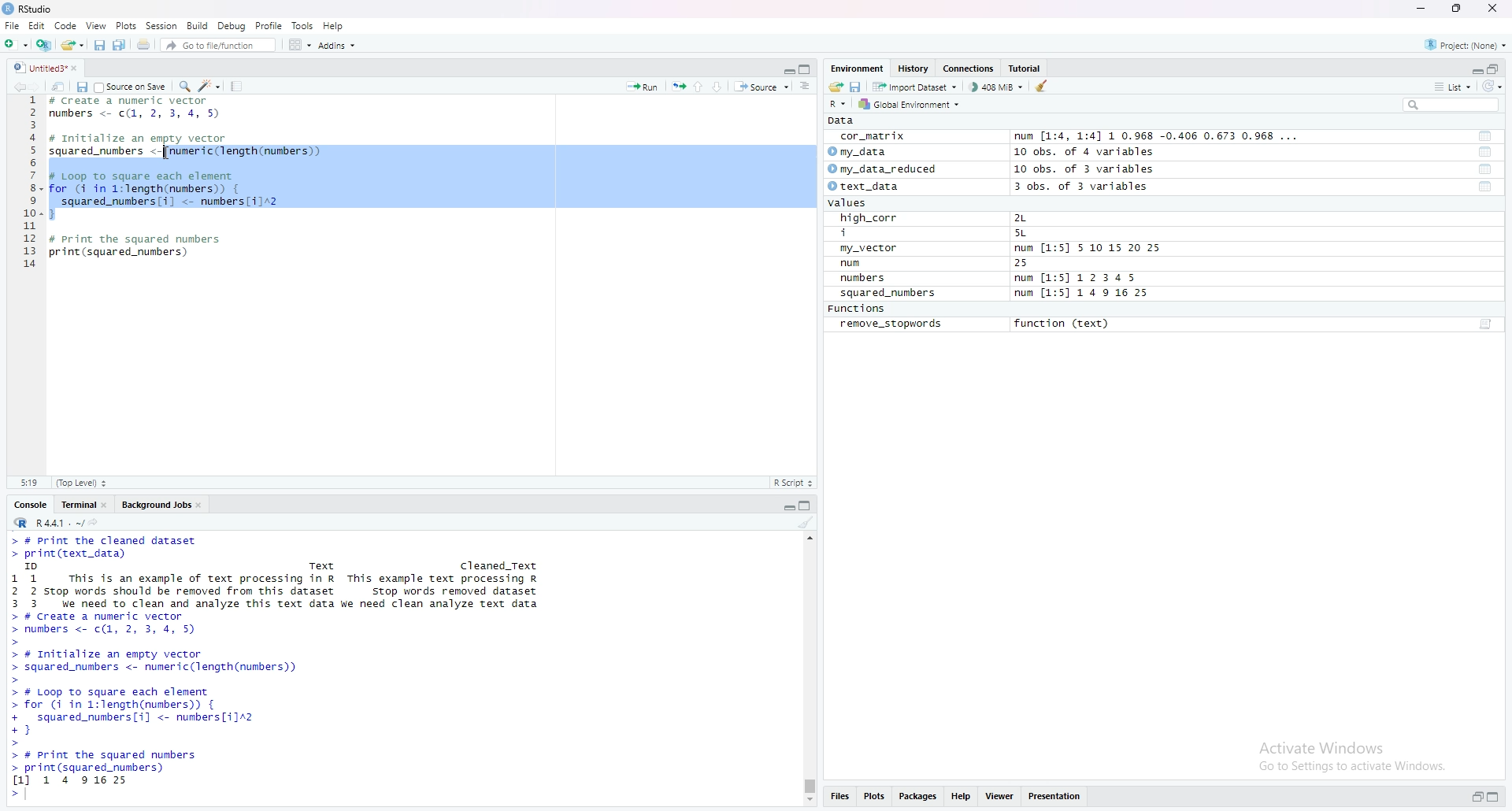  I want to click on Debug, so click(232, 25).